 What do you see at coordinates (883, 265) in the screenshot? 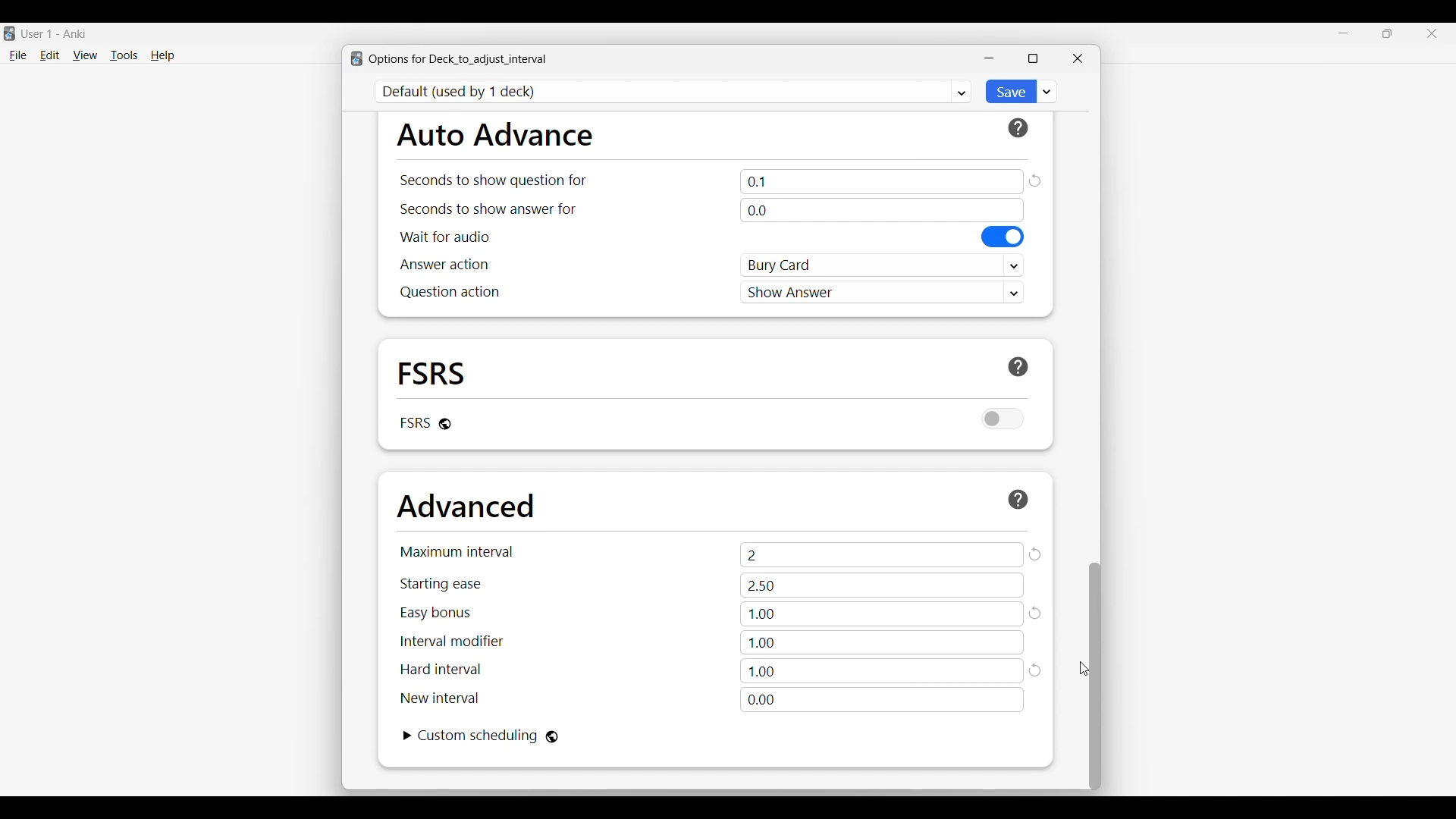
I see `Bury card selected` at bounding box center [883, 265].